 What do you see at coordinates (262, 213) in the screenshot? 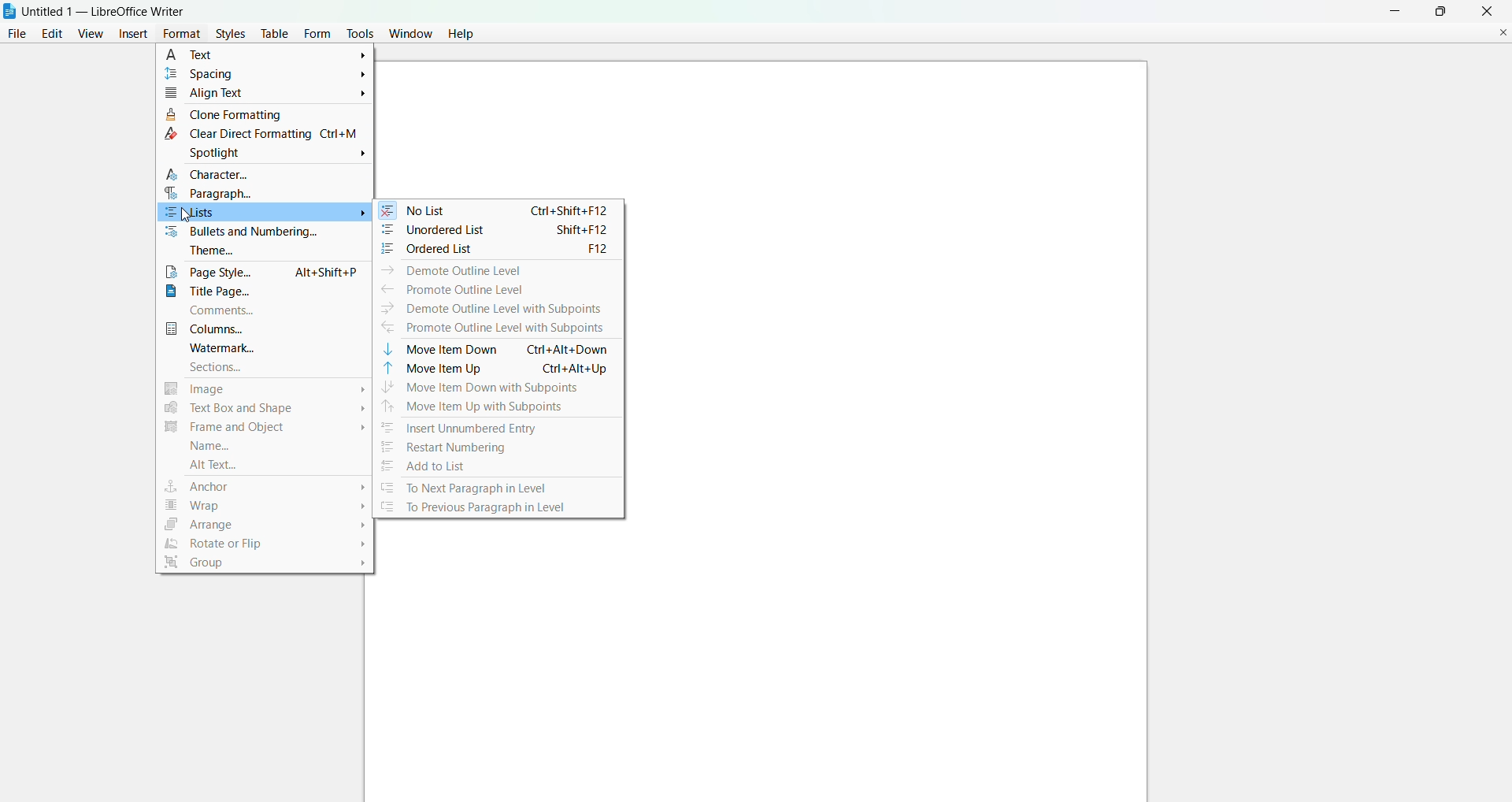
I see `list` at bounding box center [262, 213].